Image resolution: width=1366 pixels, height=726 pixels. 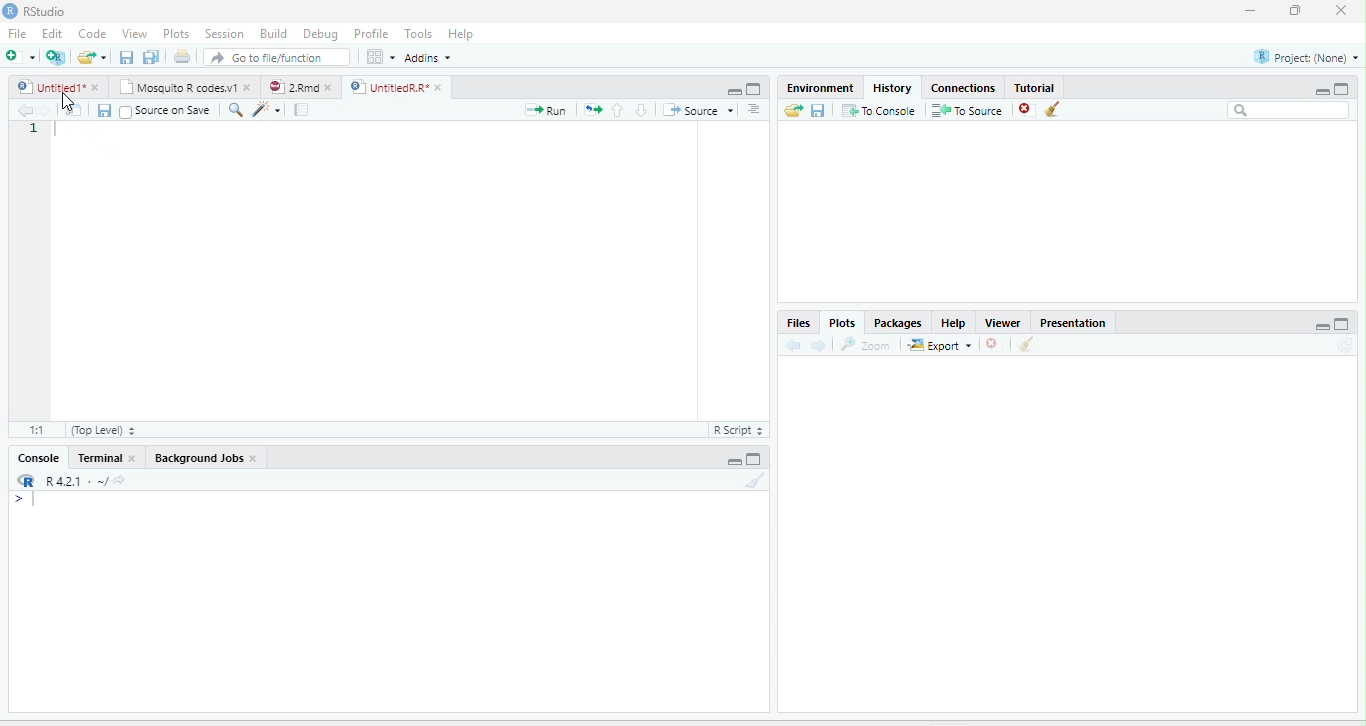 I want to click on Save history into a file, so click(x=818, y=110).